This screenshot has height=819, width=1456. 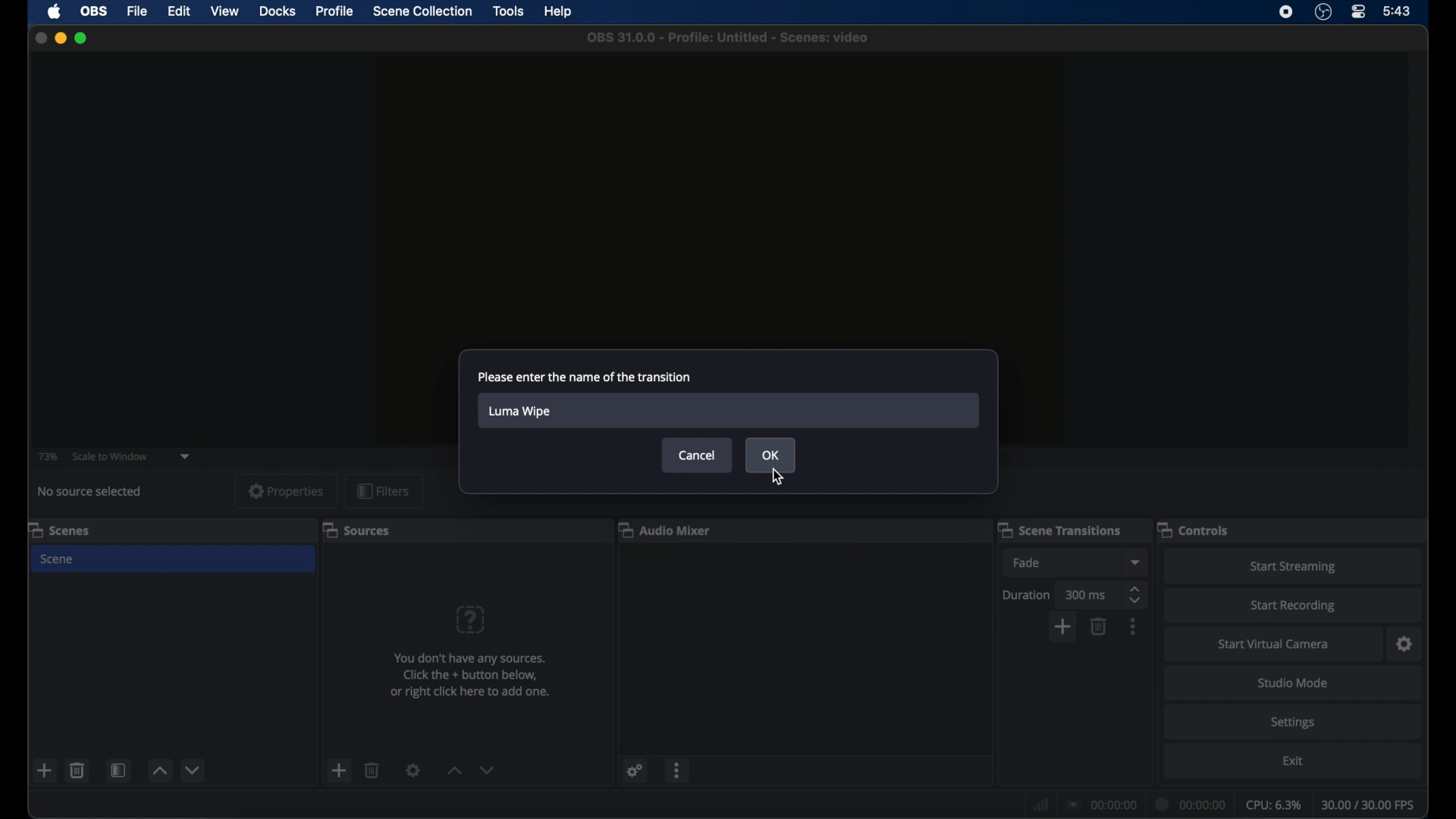 I want to click on scene transitions, so click(x=1059, y=530).